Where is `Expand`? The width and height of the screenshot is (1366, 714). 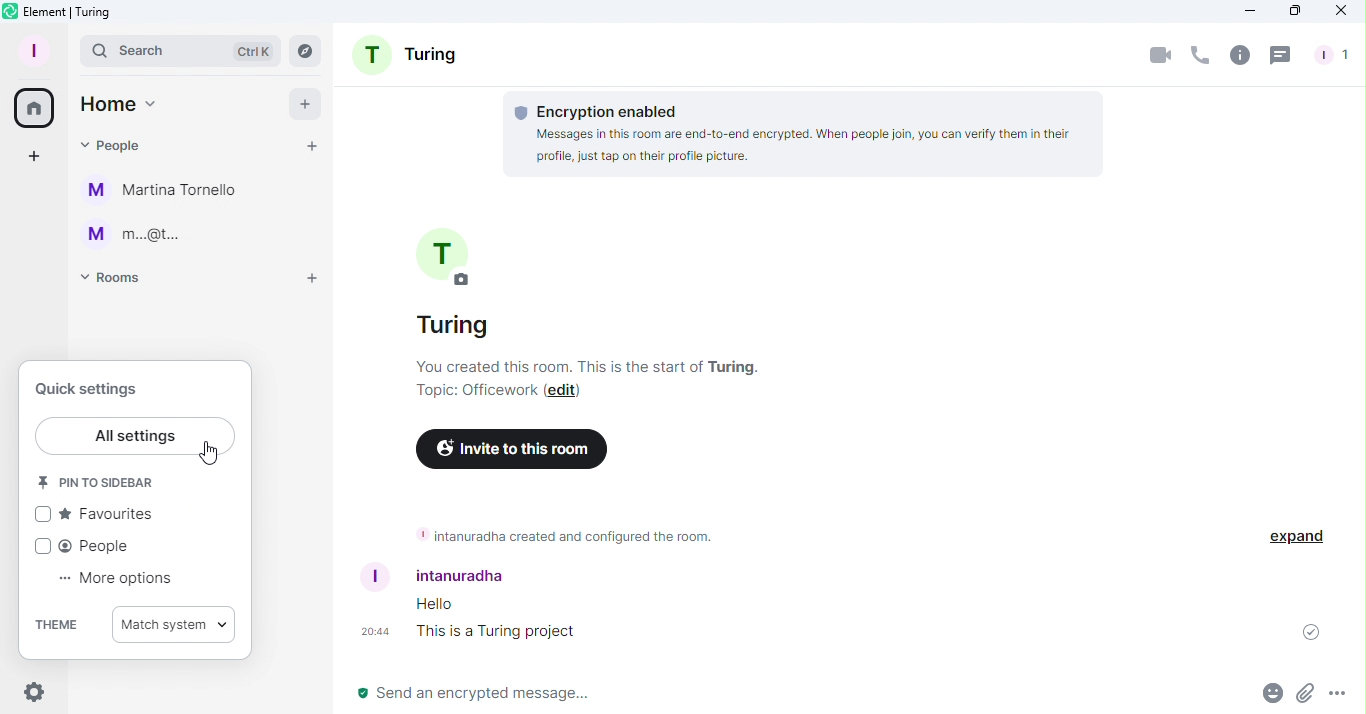
Expand is located at coordinates (1298, 537).